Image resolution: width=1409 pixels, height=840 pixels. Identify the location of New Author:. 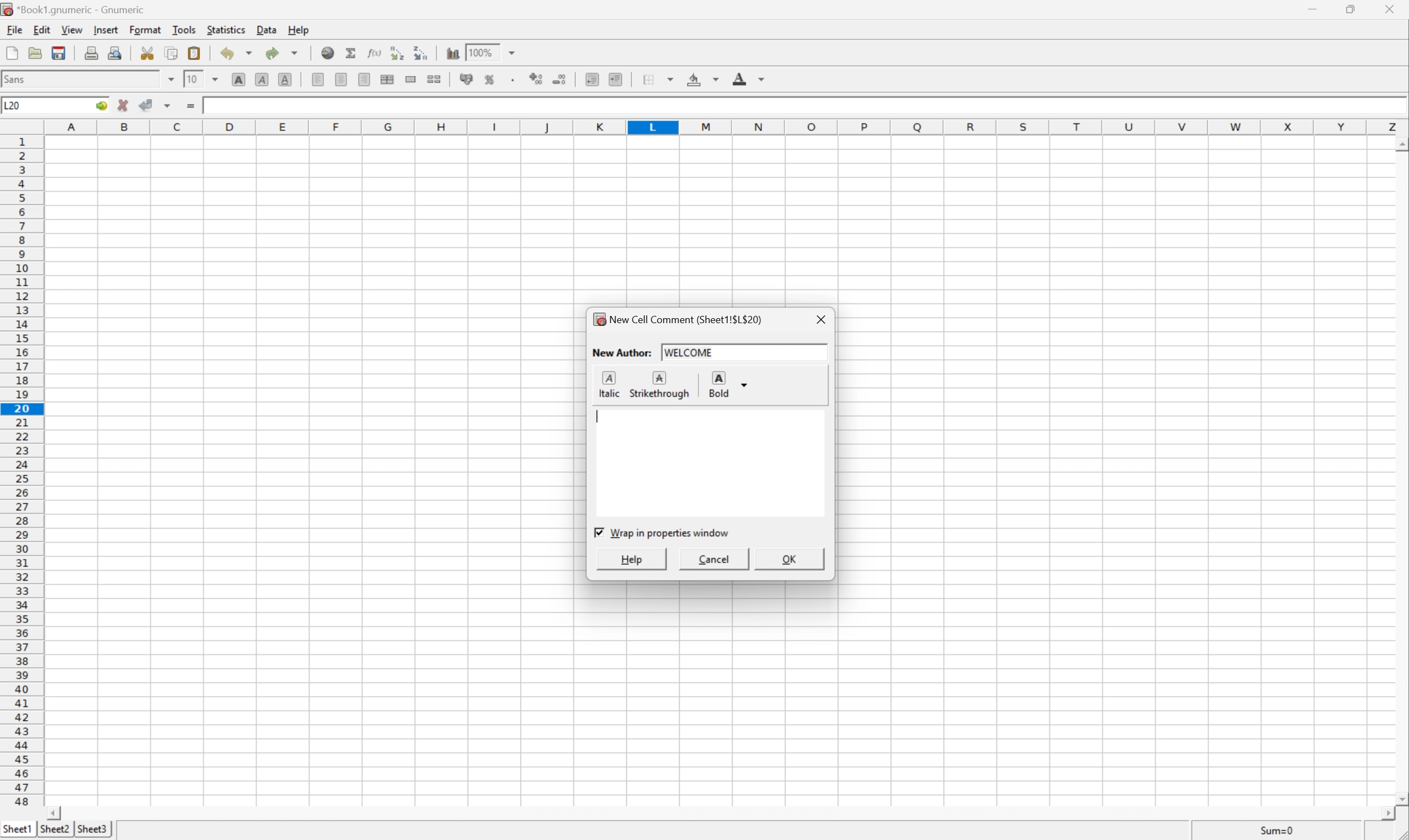
(620, 353).